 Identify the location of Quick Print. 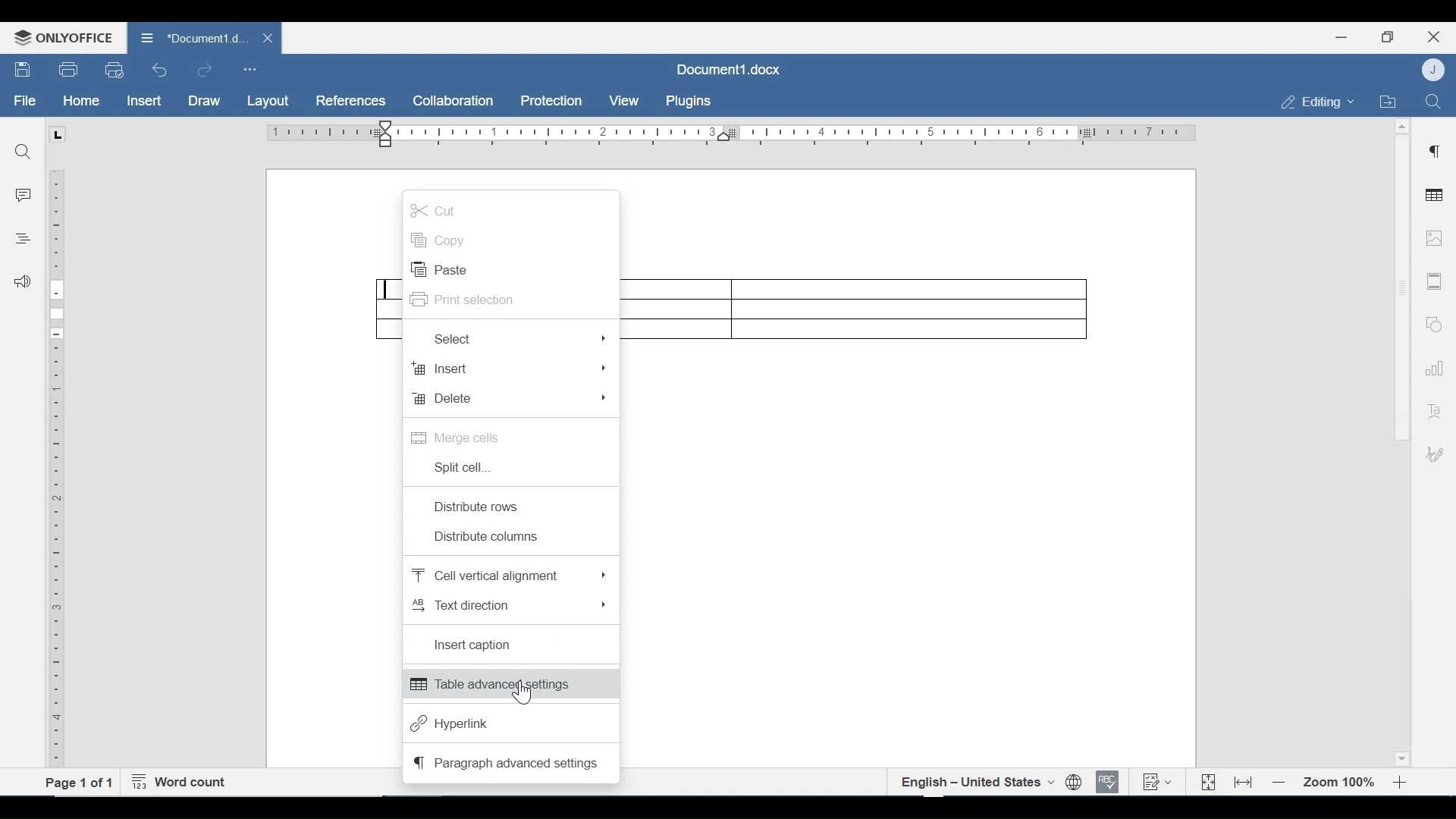
(113, 69).